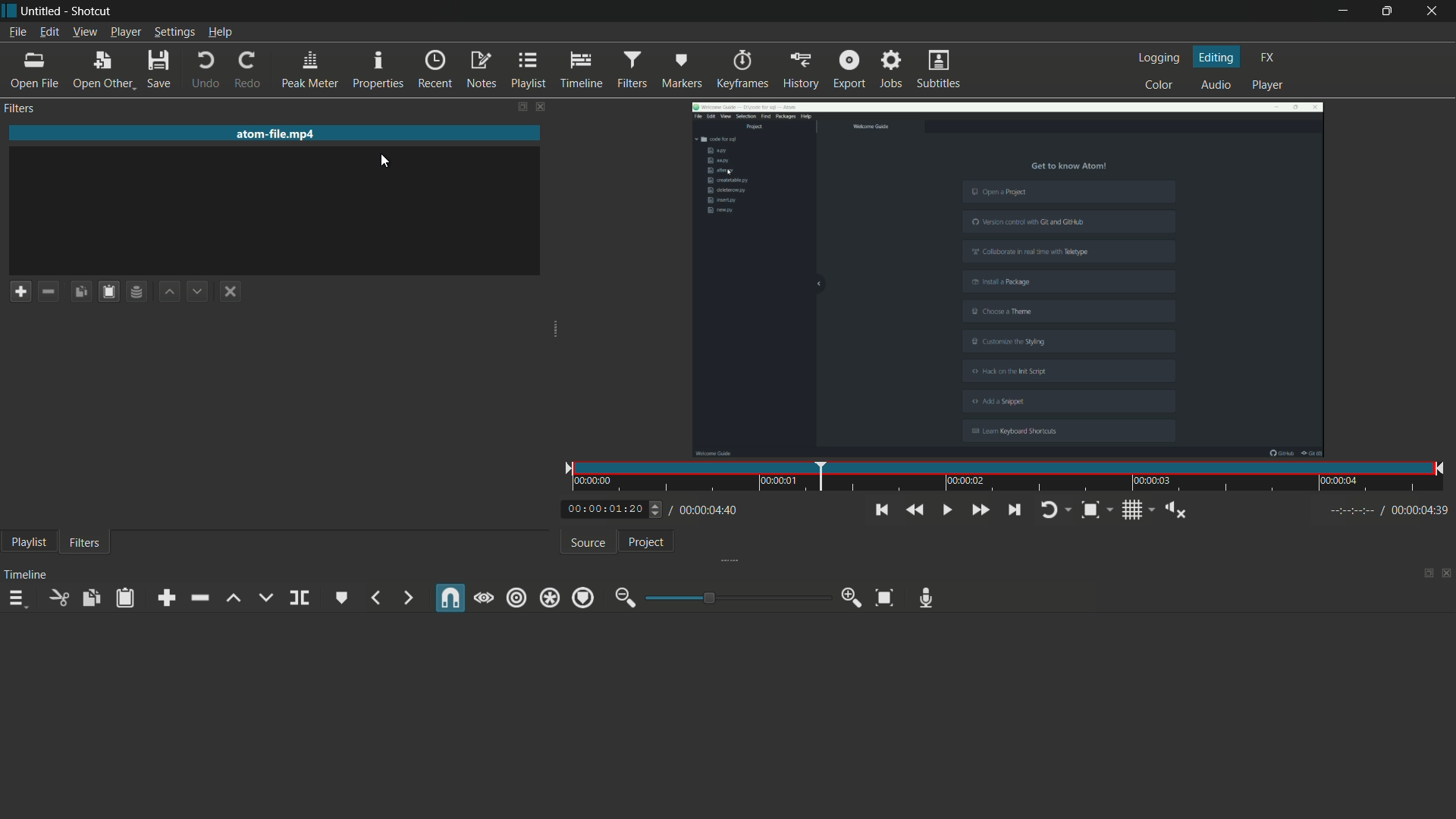 This screenshot has width=1456, height=819. Describe the element at coordinates (645, 541) in the screenshot. I see `project` at that location.